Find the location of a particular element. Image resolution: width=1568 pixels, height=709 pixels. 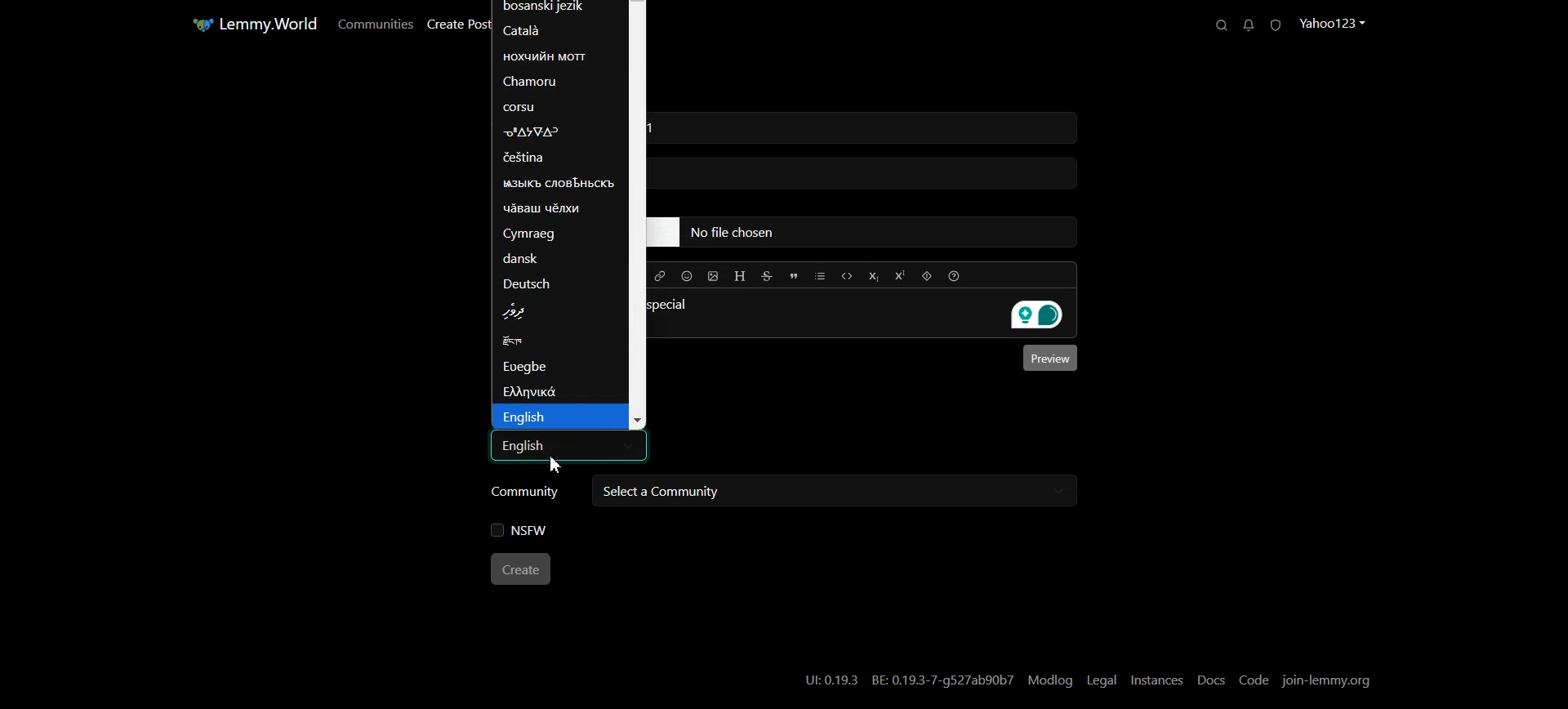

Modlog is located at coordinates (1052, 680).